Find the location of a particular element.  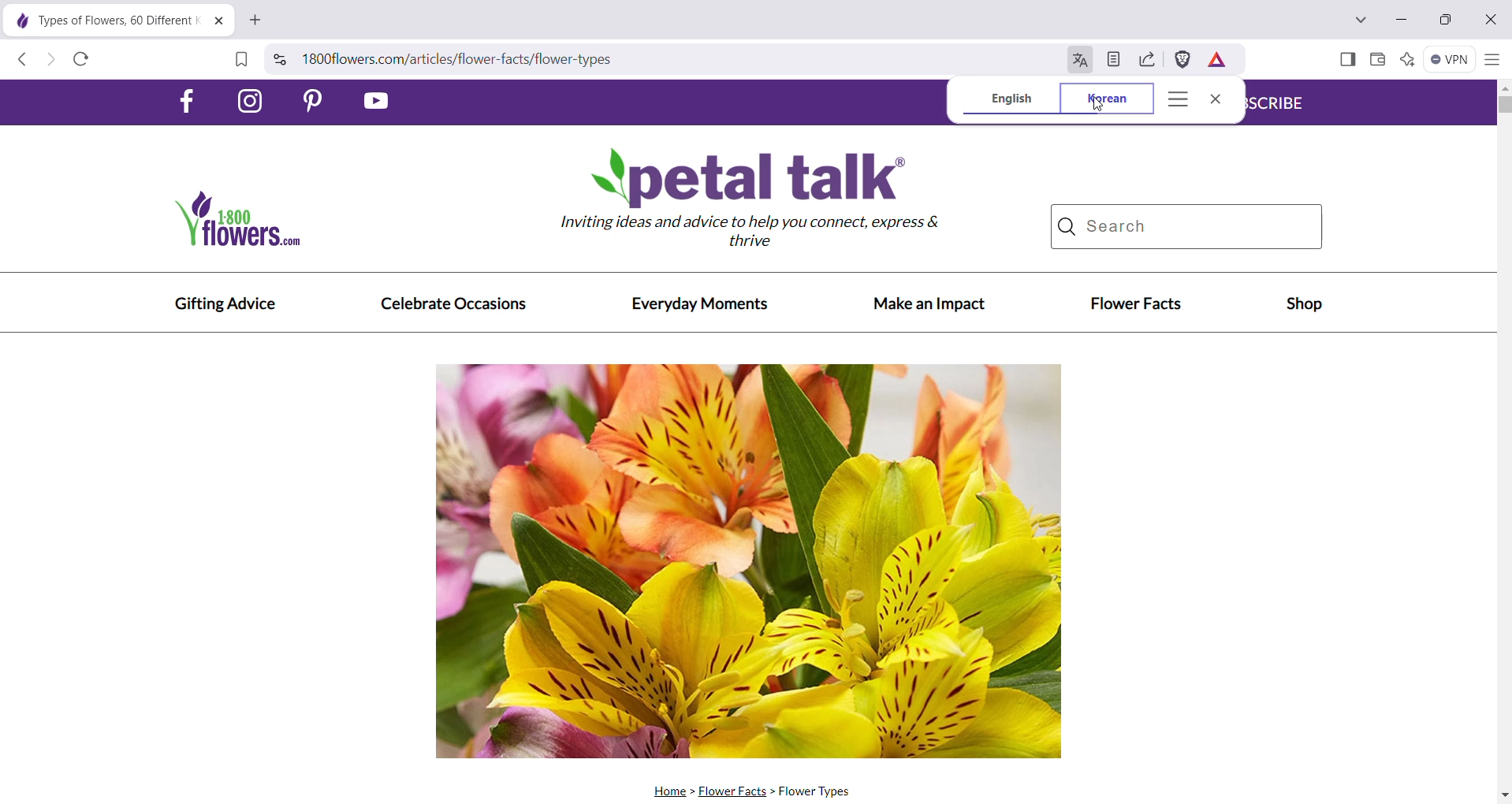

Earn rewards for private ads you see in Brave is located at coordinates (1215, 60).